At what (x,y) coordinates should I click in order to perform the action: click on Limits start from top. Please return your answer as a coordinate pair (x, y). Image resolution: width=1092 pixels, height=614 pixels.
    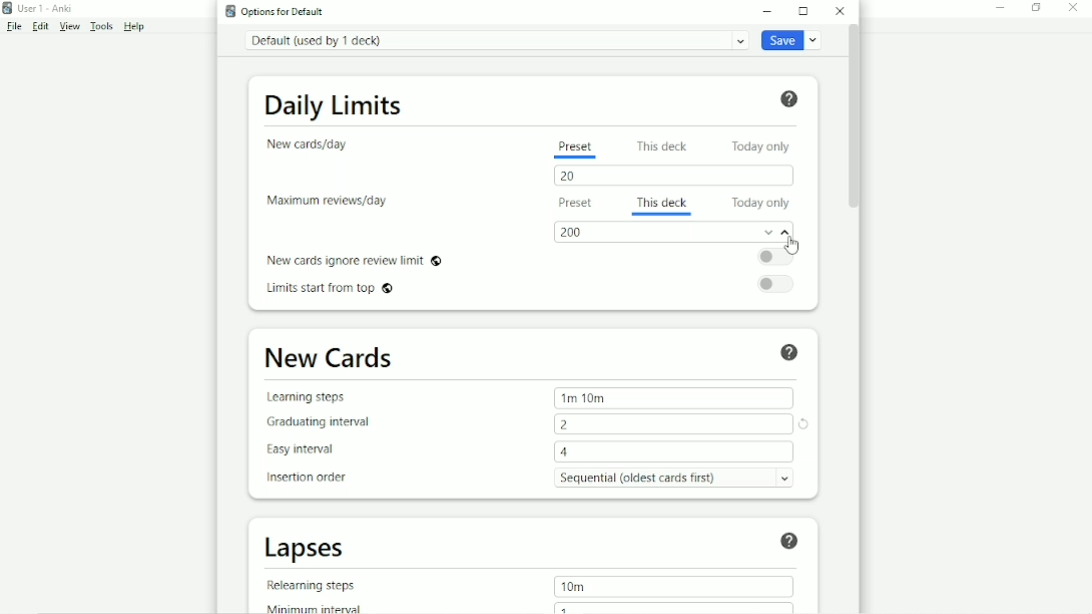
    Looking at the image, I should click on (334, 290).